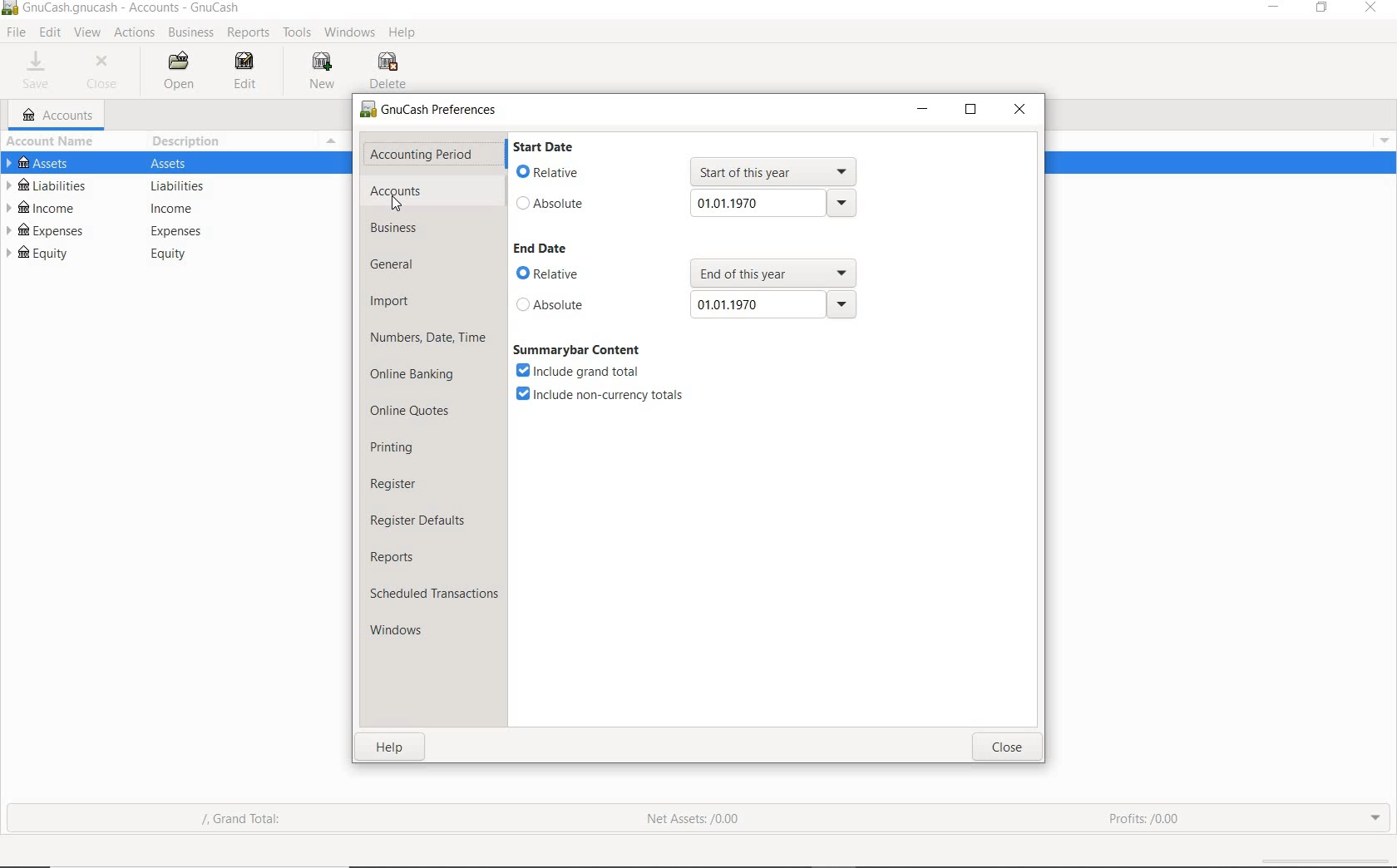 The height and width of the screenshot is (868, 1397). Describe the element at coordinates (333, 141) in the screenshot. I see `Menu` at that location.